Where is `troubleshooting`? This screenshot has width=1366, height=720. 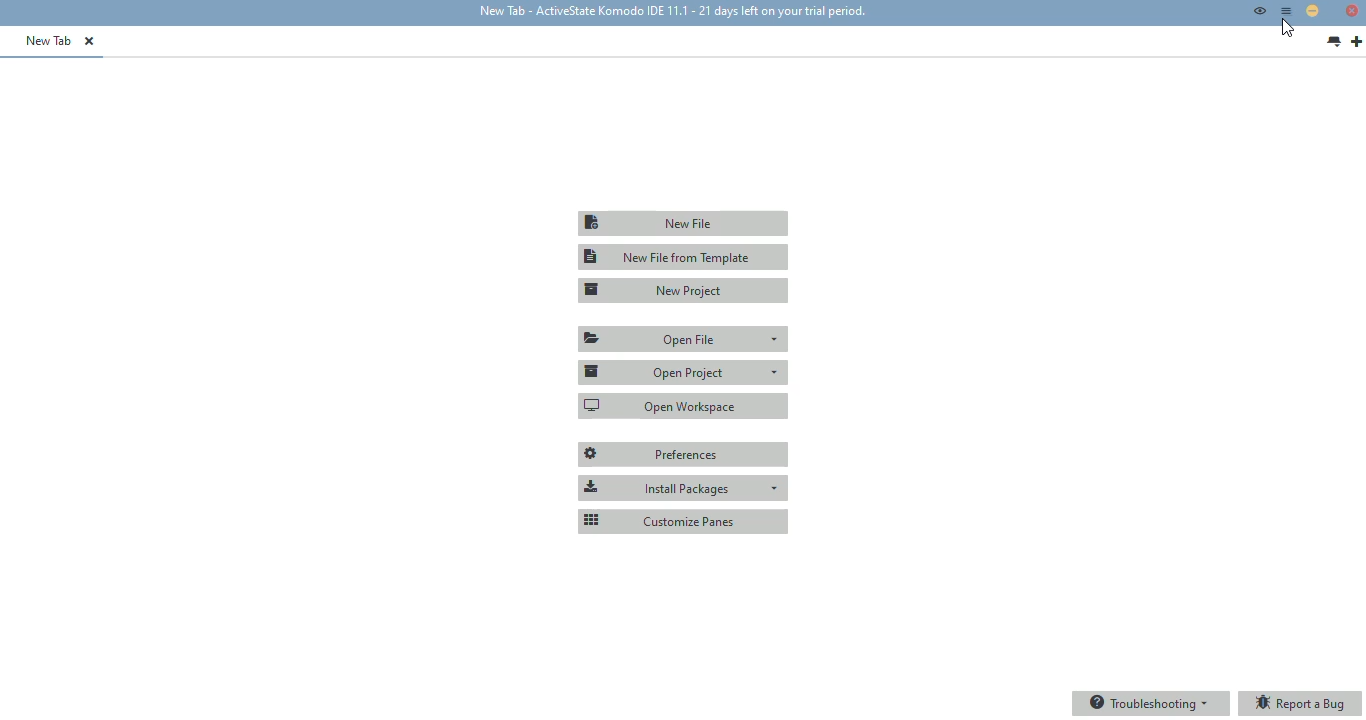 troubleshooting is located at coordinates (1150, 703).